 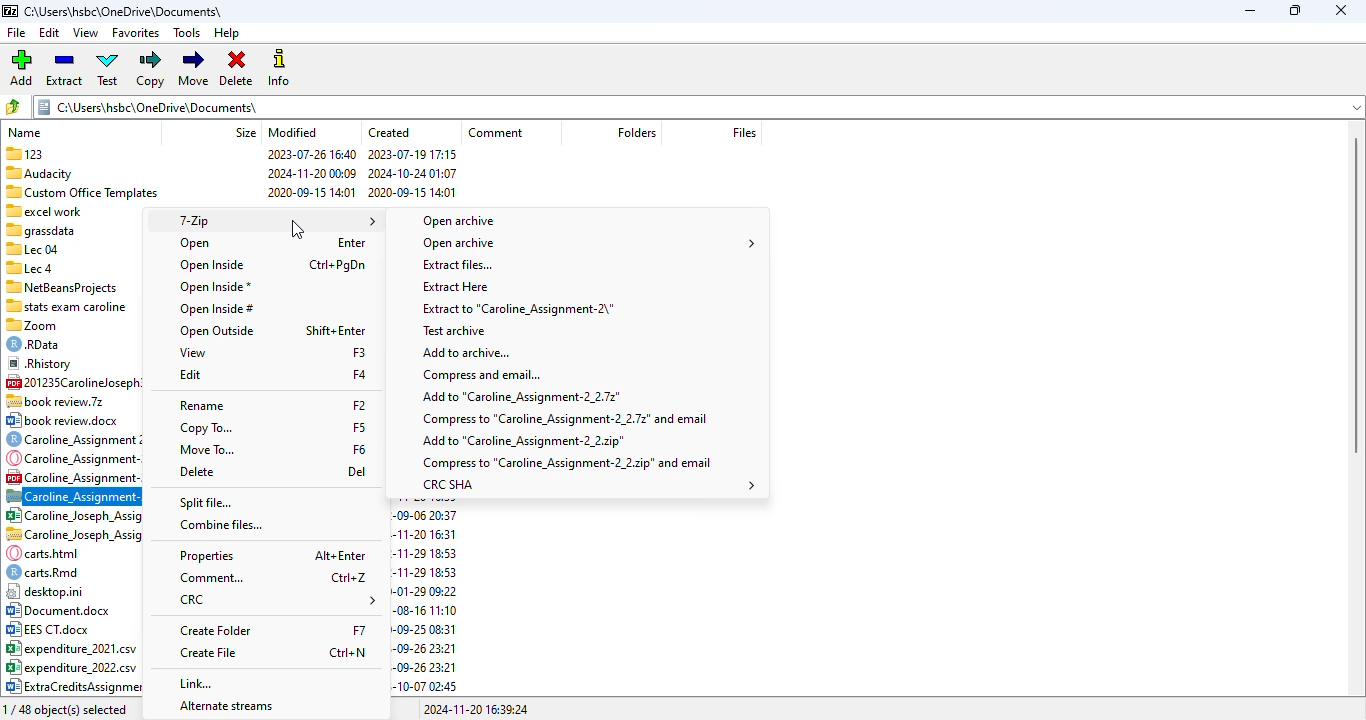 What do you see at coordinates (1359, 296) in the screenshot?
I see `scrollbar` at bounding box center [1359, 296].